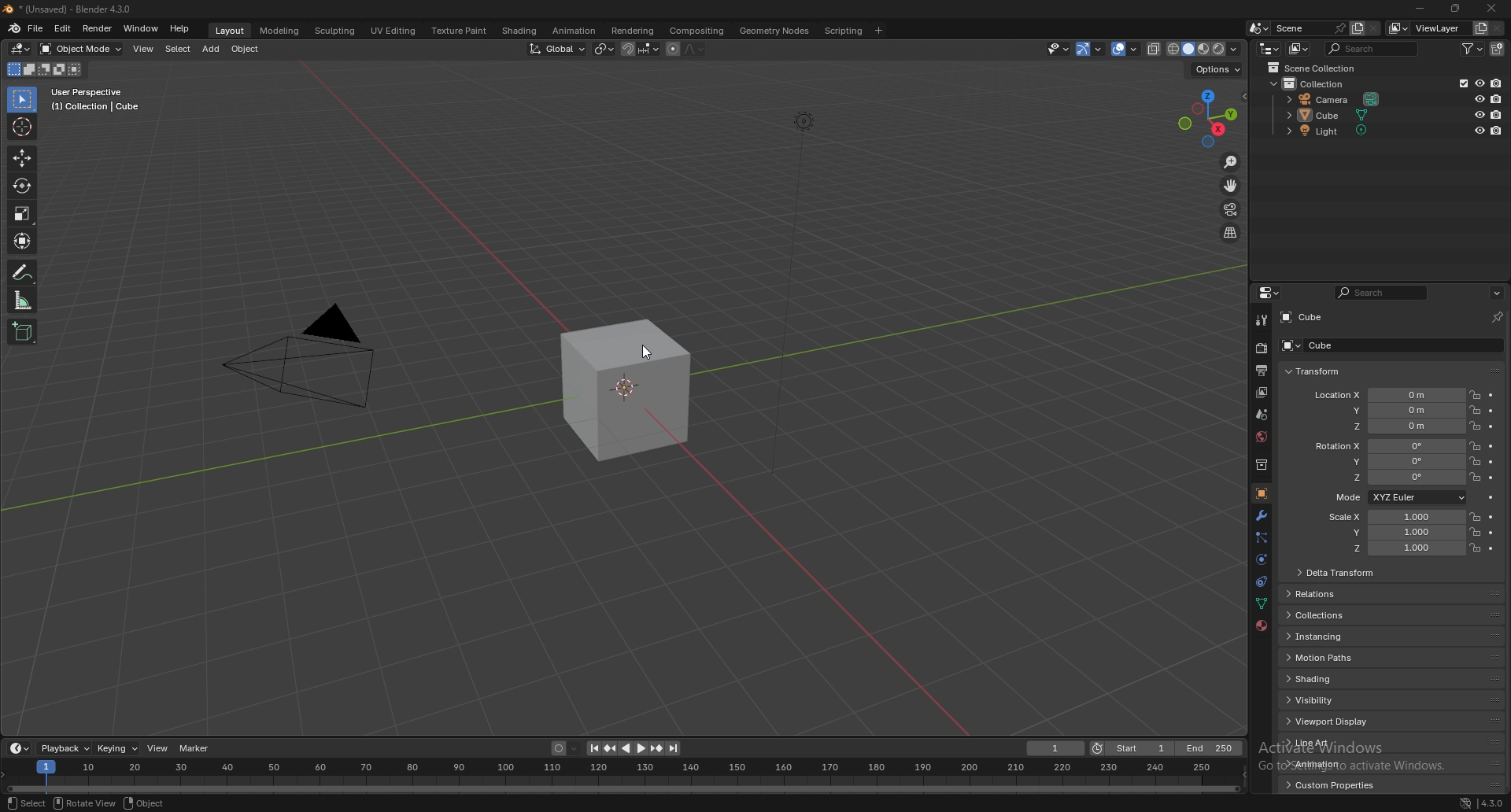 The height and width of the screenshot is (812, 1511). Describe the element at coordinates (1498, 50) in the screenshot. I see `new collection` at that location.